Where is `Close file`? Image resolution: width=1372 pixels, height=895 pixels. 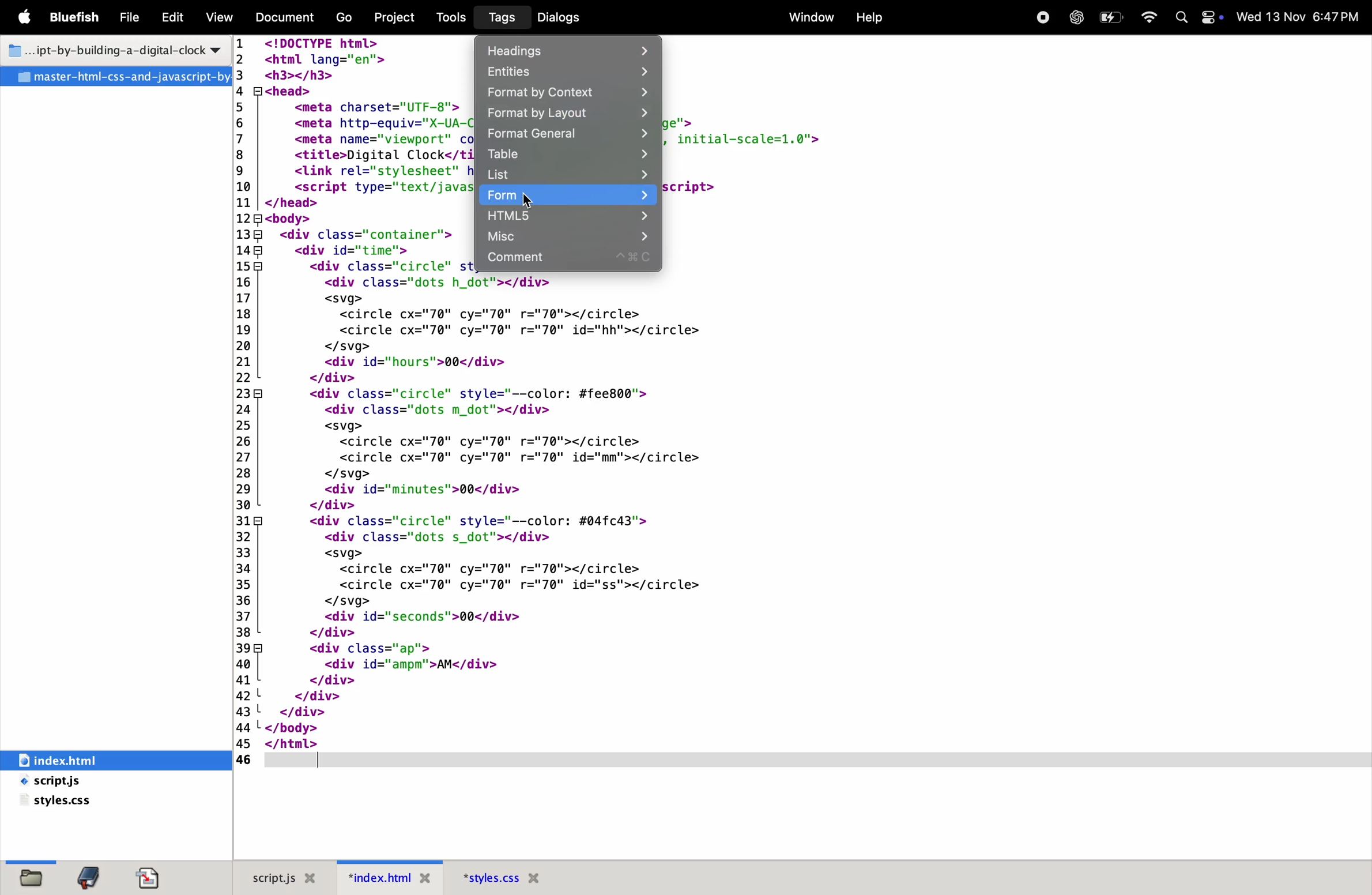 Close file is located at coordinates (537, 878).